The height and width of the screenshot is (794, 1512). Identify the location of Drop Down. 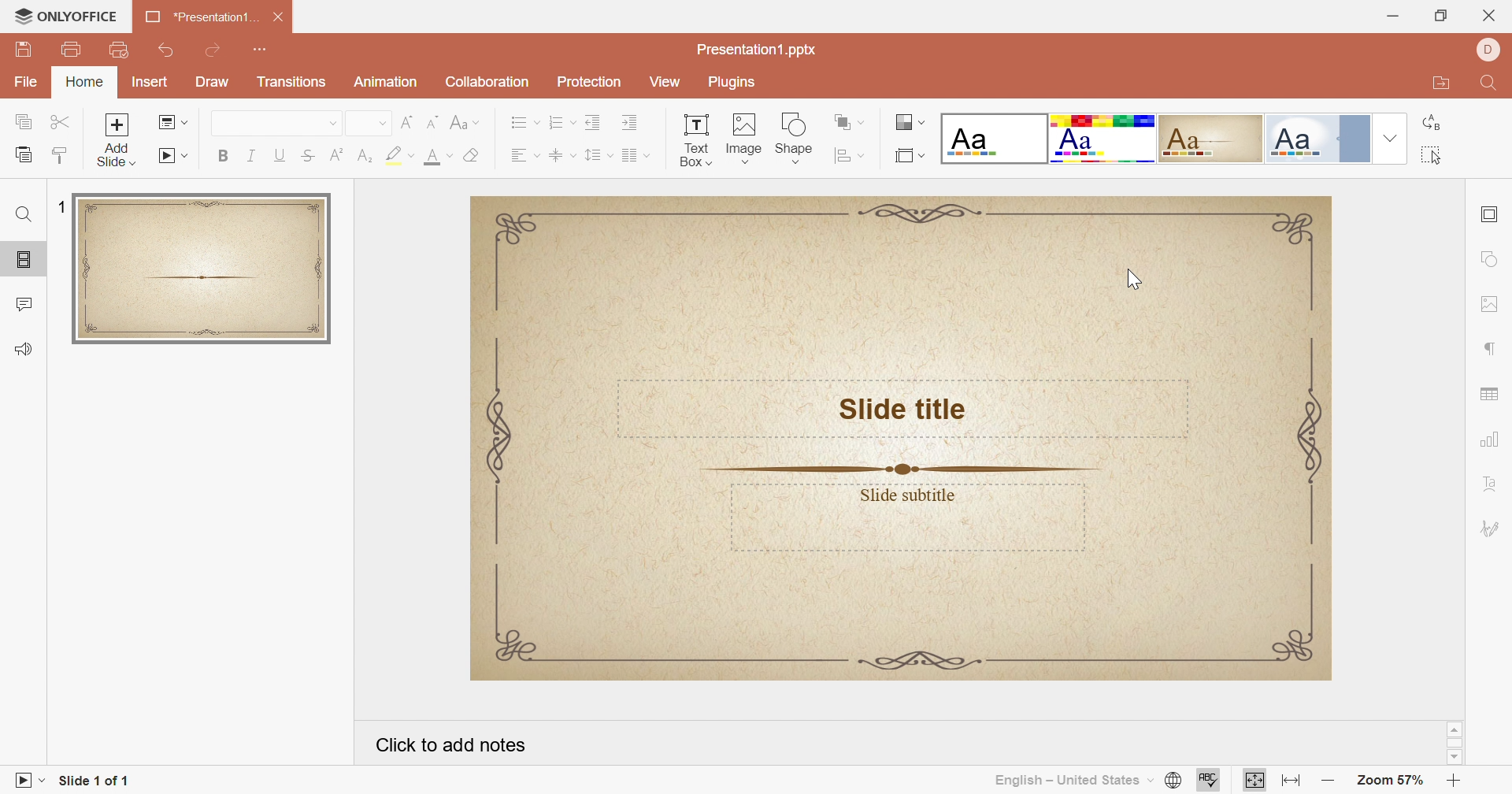
(187, 156).